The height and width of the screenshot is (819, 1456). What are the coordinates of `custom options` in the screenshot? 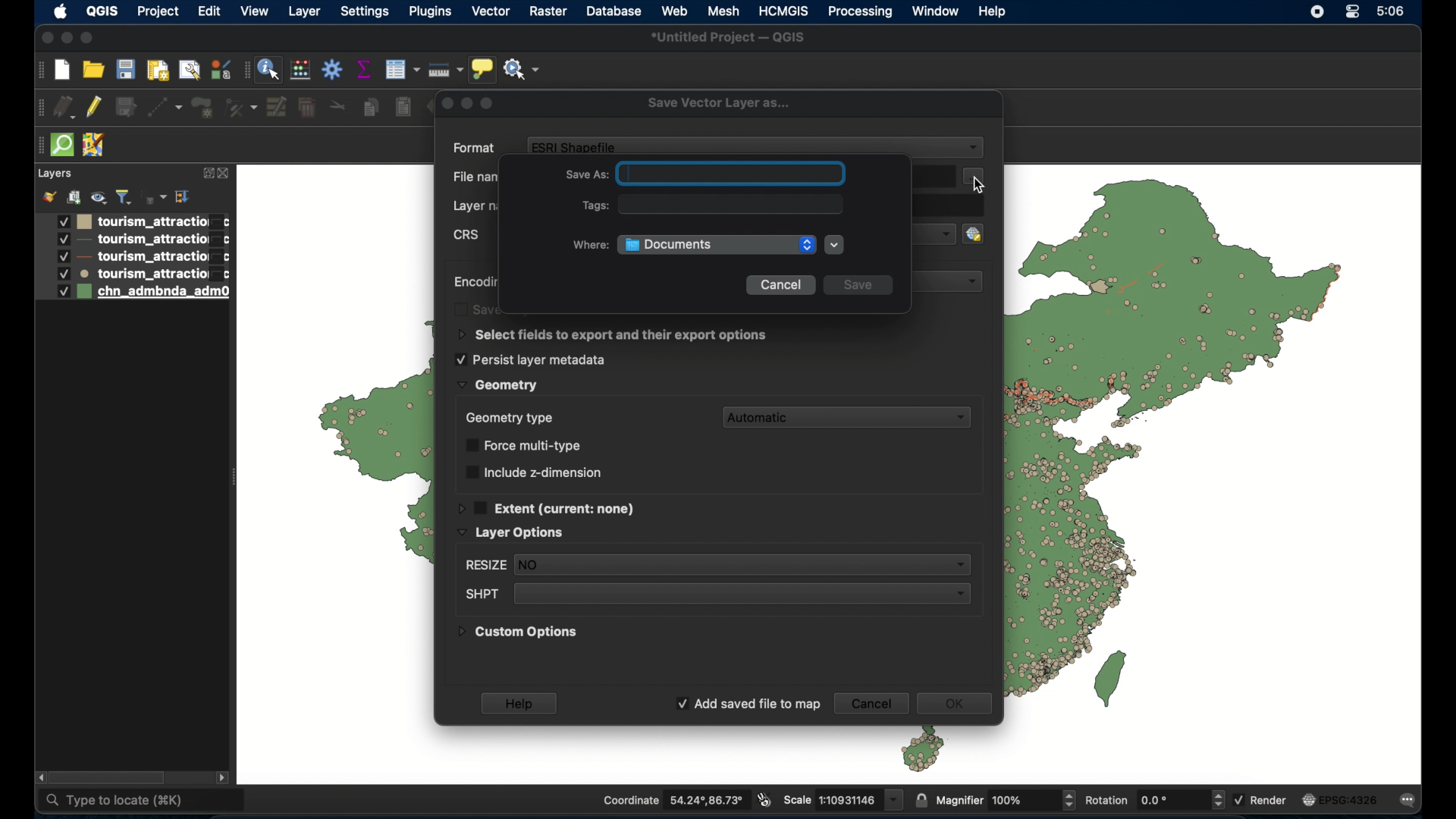 It's located at (519, 635).